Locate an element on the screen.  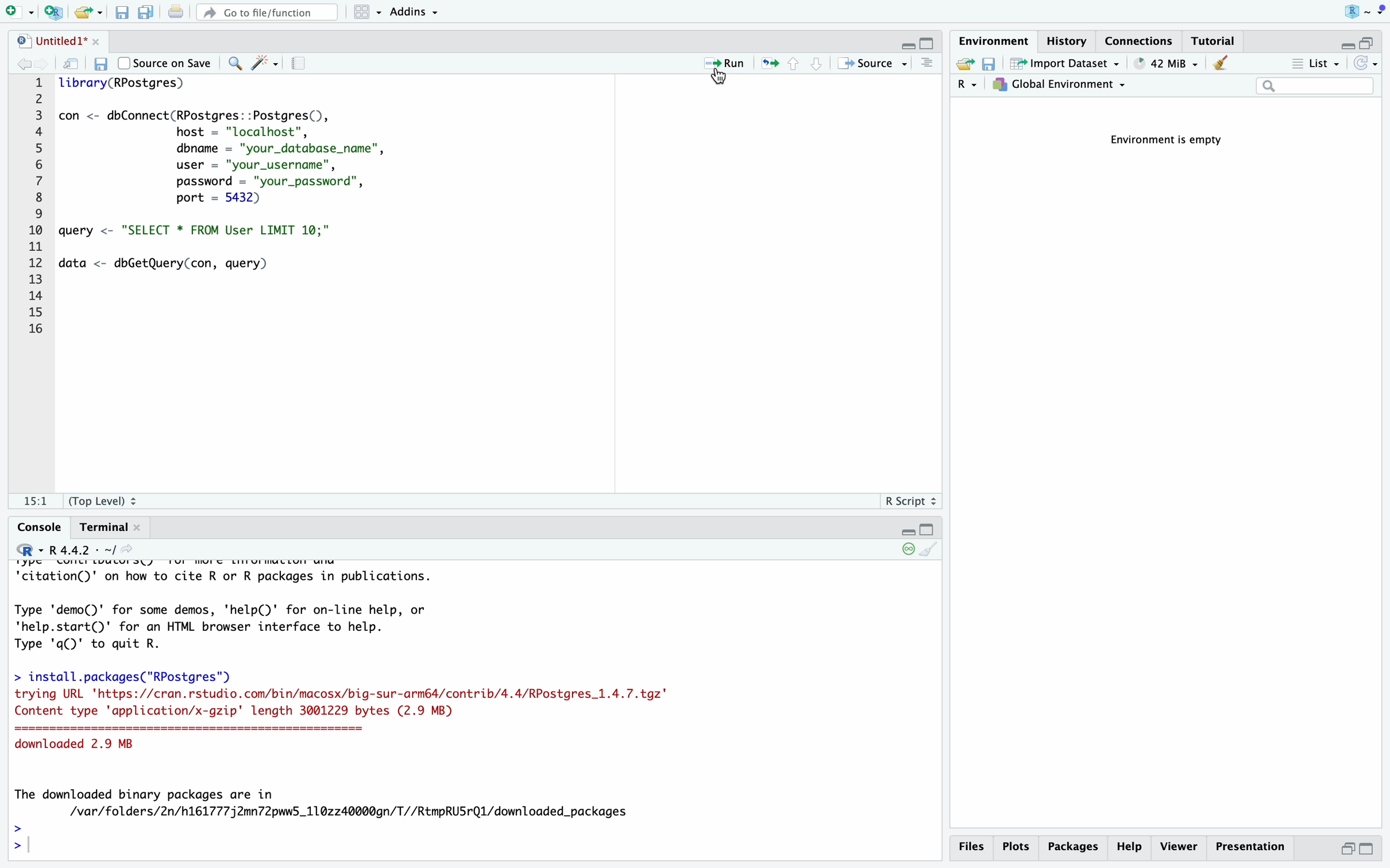
go to next section/chunk is located at coordinates (818, 68).